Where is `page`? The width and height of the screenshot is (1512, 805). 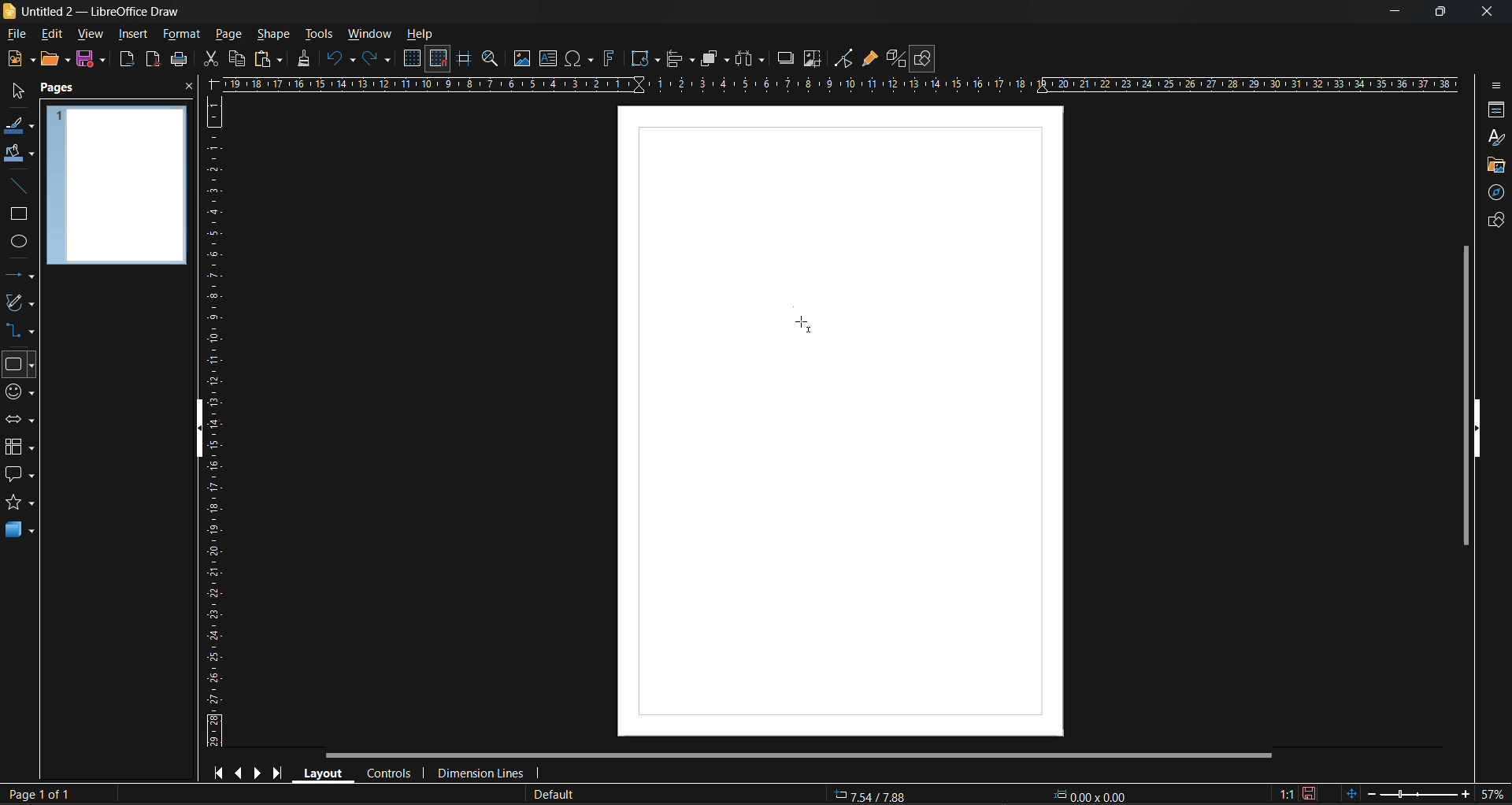
page is located at coordinates (842, 423).